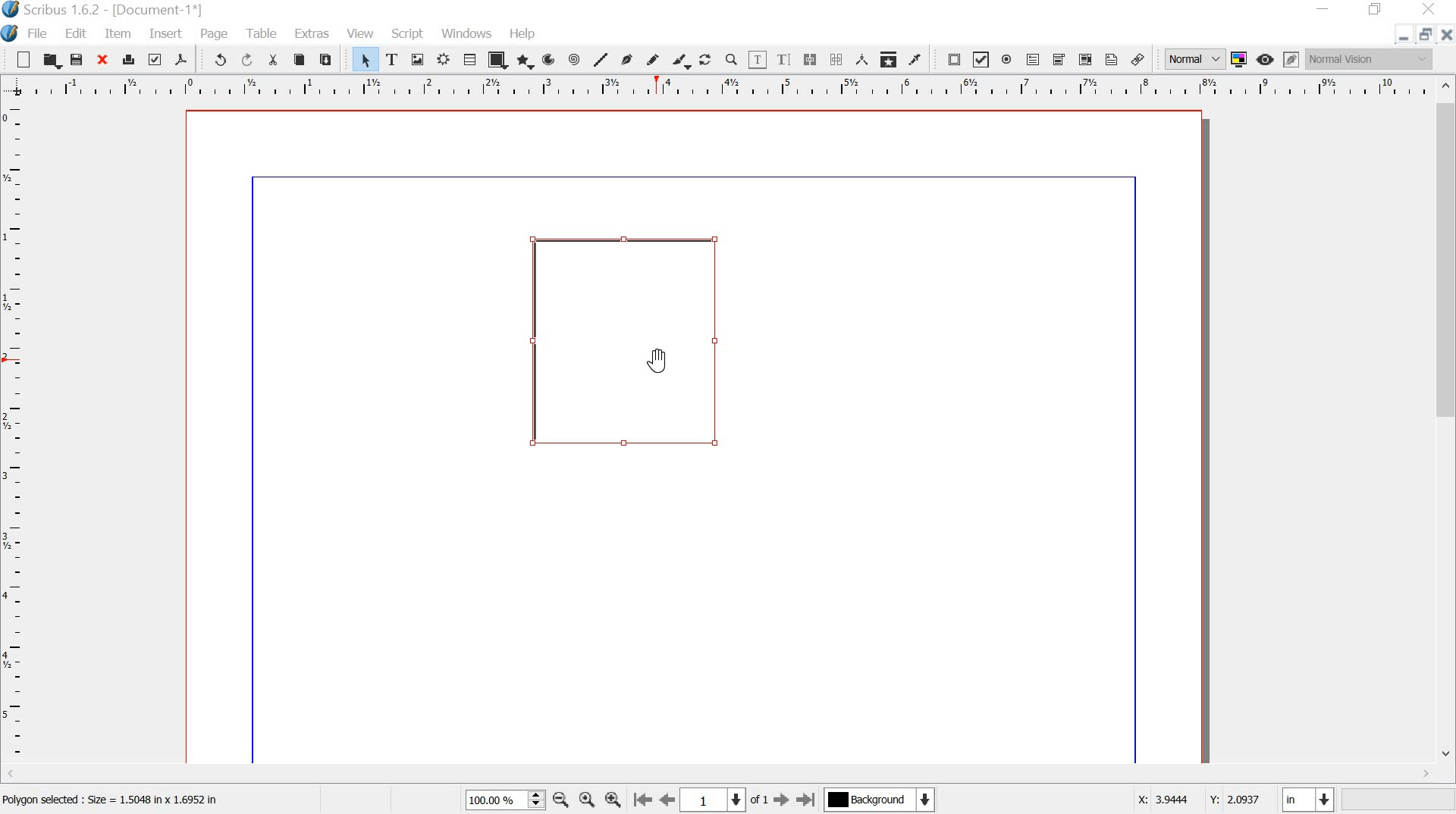  Describe the element at coordinates (491, 800) in the screenshot. I see `100.00%` at that location.